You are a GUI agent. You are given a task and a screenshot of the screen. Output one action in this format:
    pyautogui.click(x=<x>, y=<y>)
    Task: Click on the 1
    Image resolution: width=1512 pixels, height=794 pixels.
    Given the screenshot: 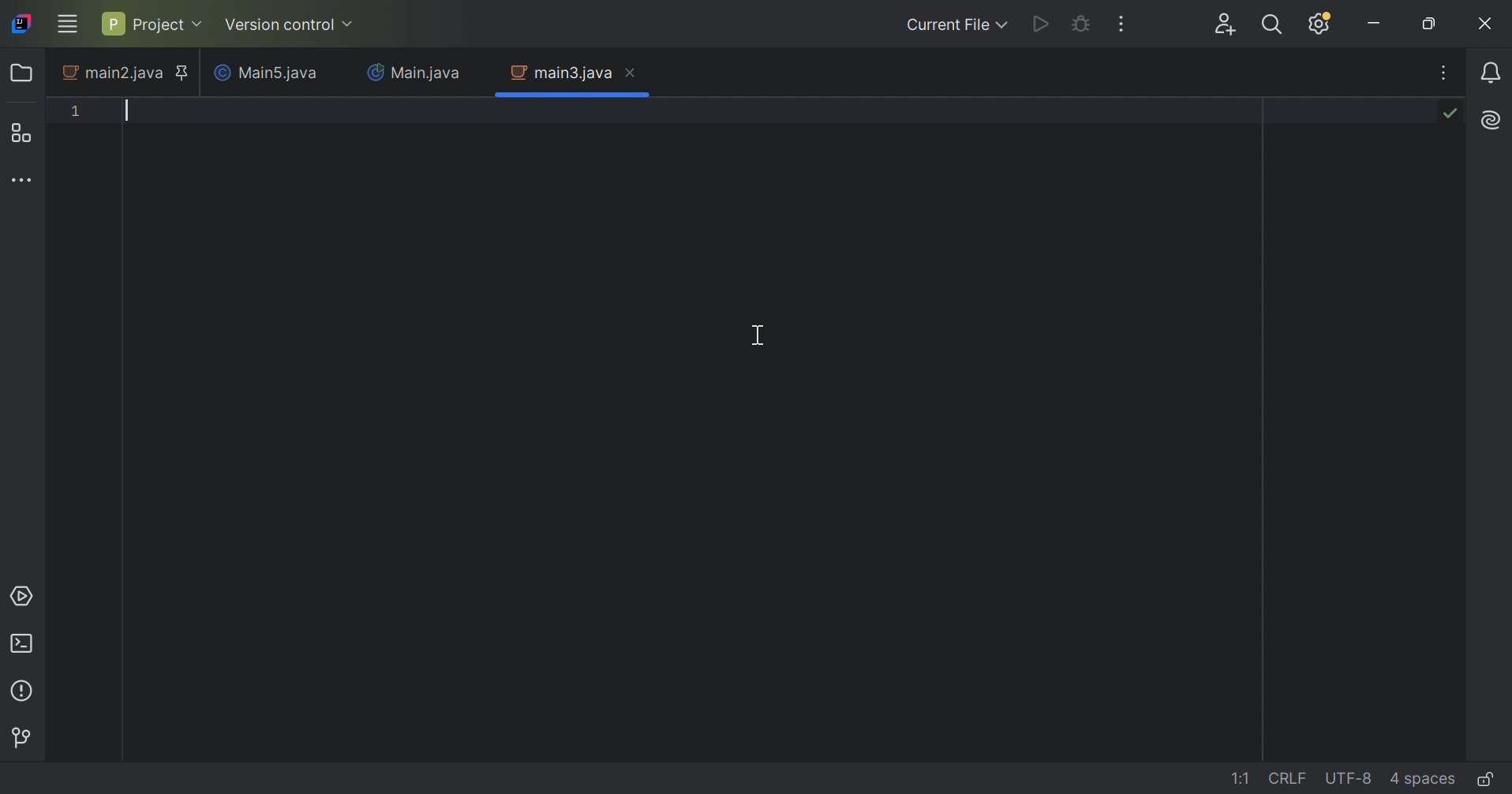 What is the action you would take?
    pyautogui.click(x=76, y=110)
    